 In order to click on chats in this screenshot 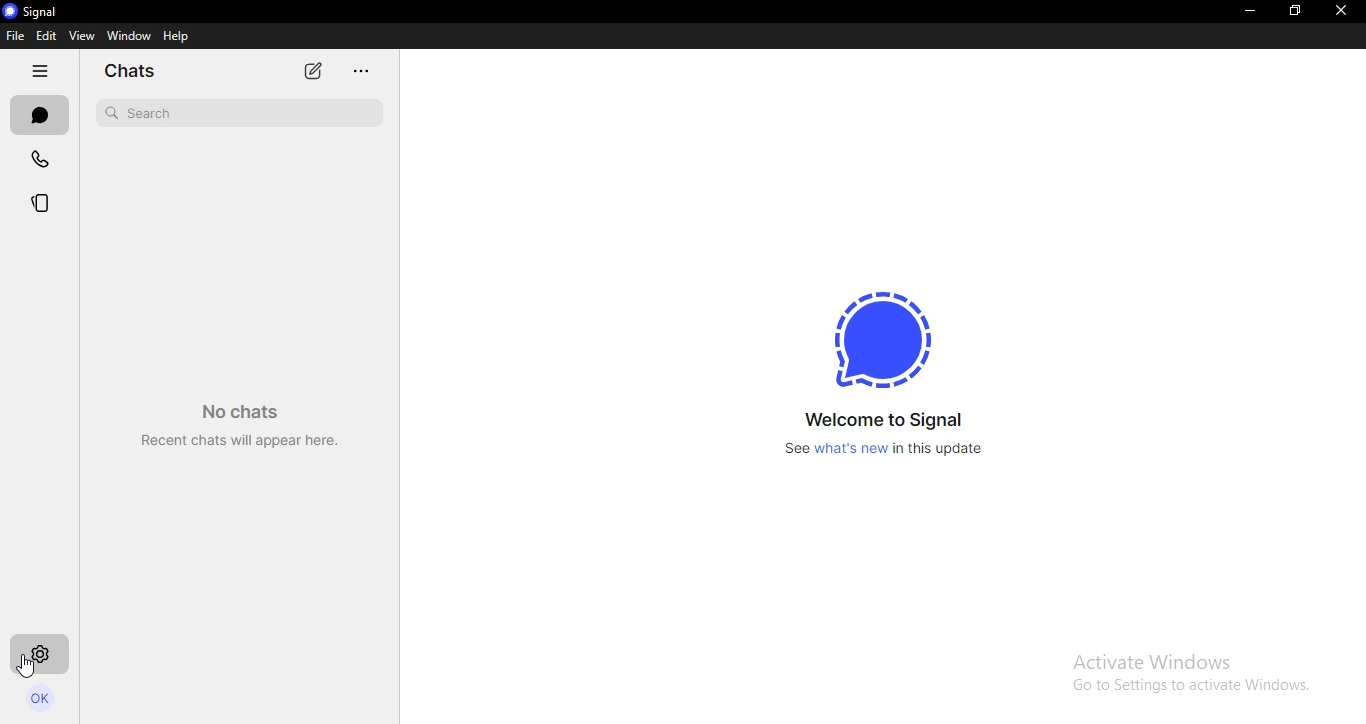, I will do `click(38, 116)`.